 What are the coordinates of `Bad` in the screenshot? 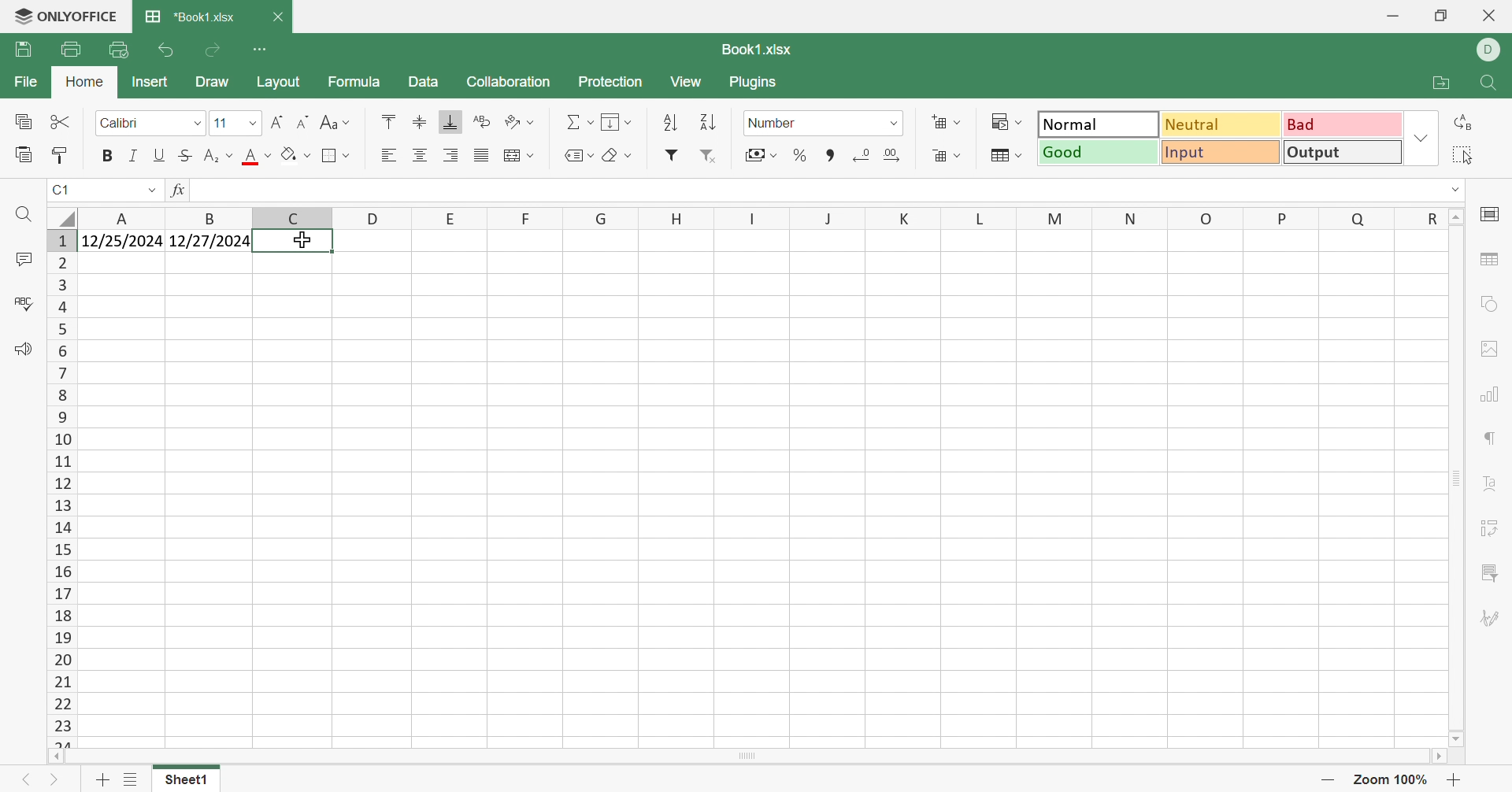 It's located at (1343, 124).